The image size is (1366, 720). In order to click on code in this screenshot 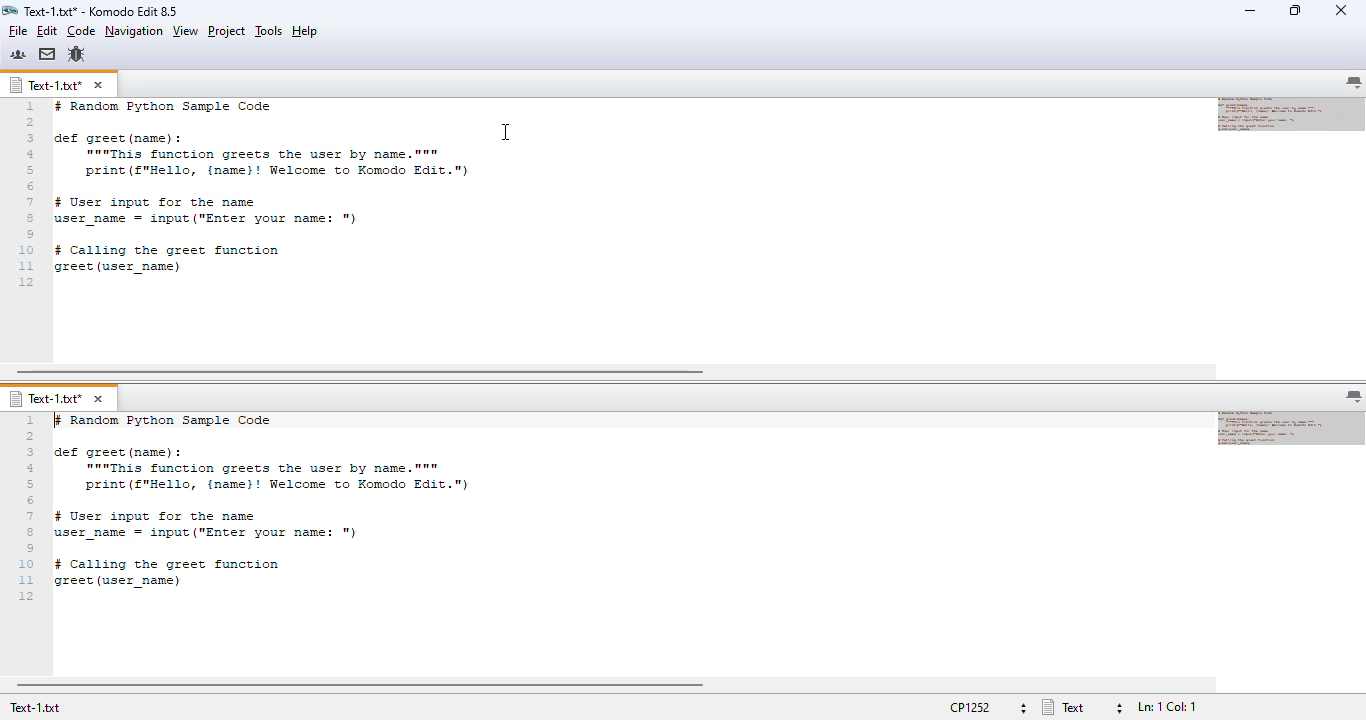, I will do `click(81, 31)`.